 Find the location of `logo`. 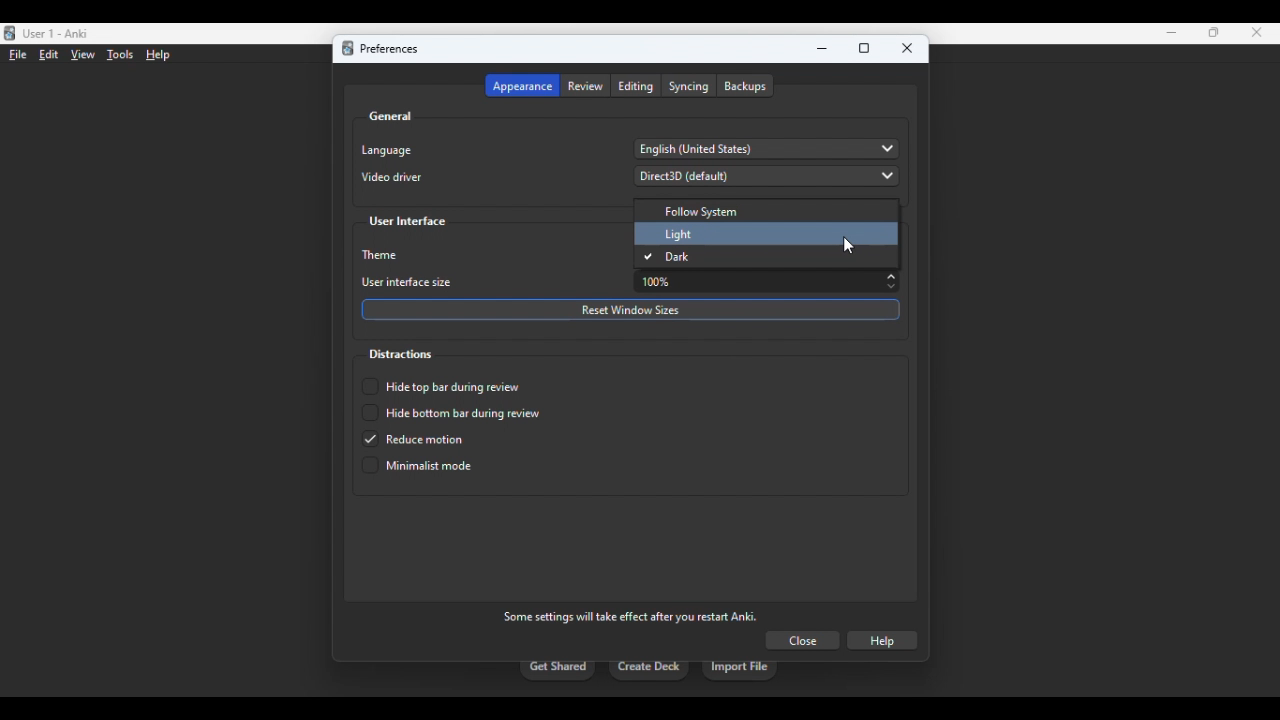

logo is located at coordinates (10, 33).